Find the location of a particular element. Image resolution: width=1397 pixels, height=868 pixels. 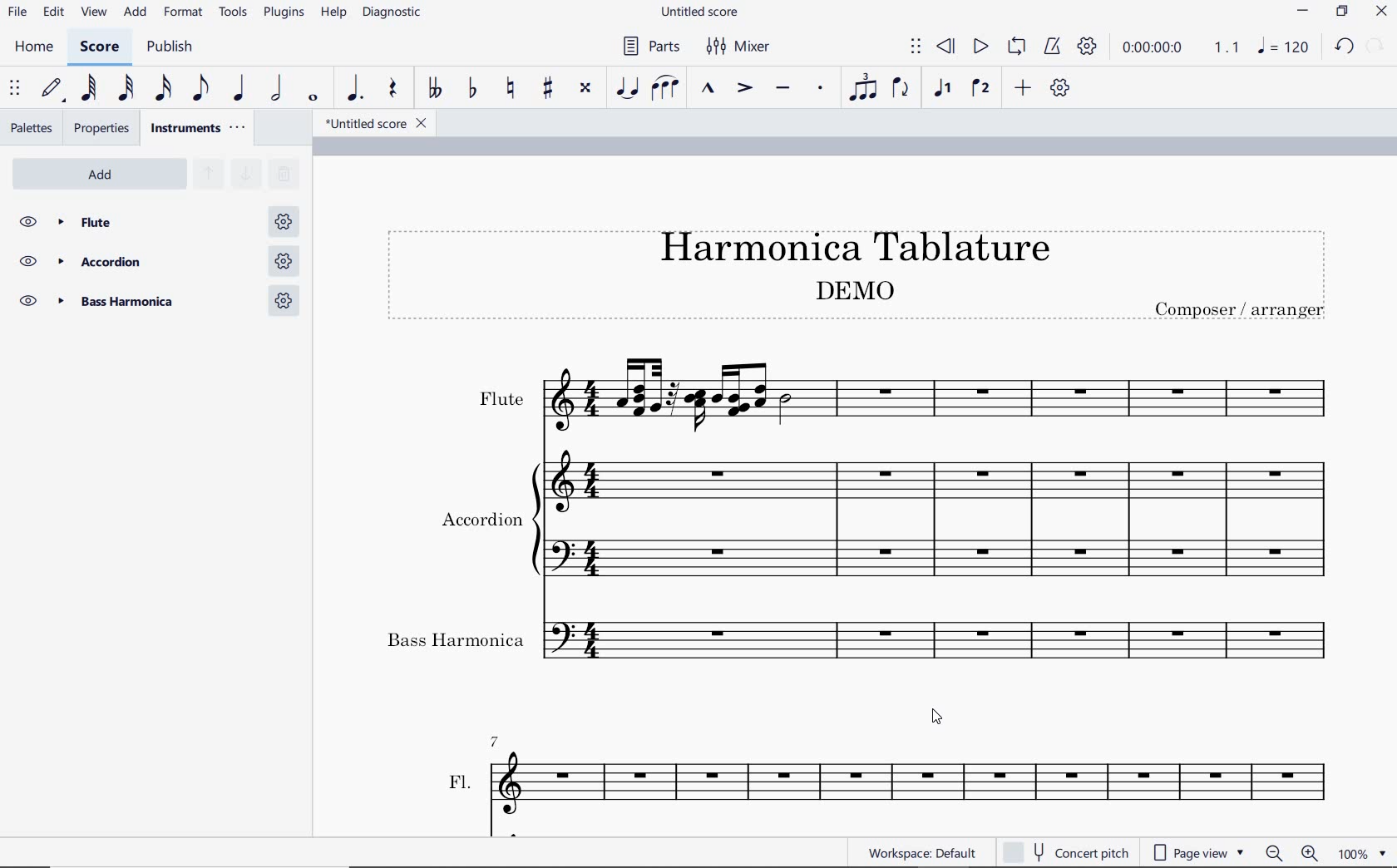

RESTORE DOWN is located at coordinates (1341, 12).